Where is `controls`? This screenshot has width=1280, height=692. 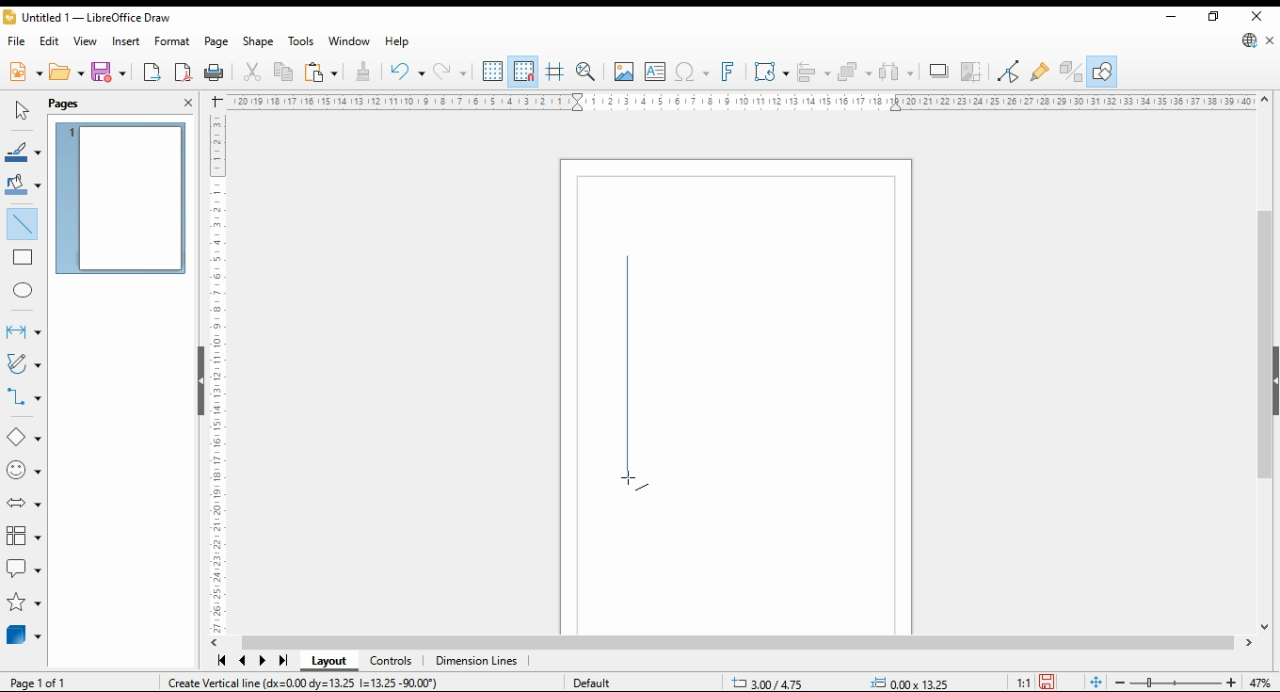 controls is located at coordinates (393, 662).